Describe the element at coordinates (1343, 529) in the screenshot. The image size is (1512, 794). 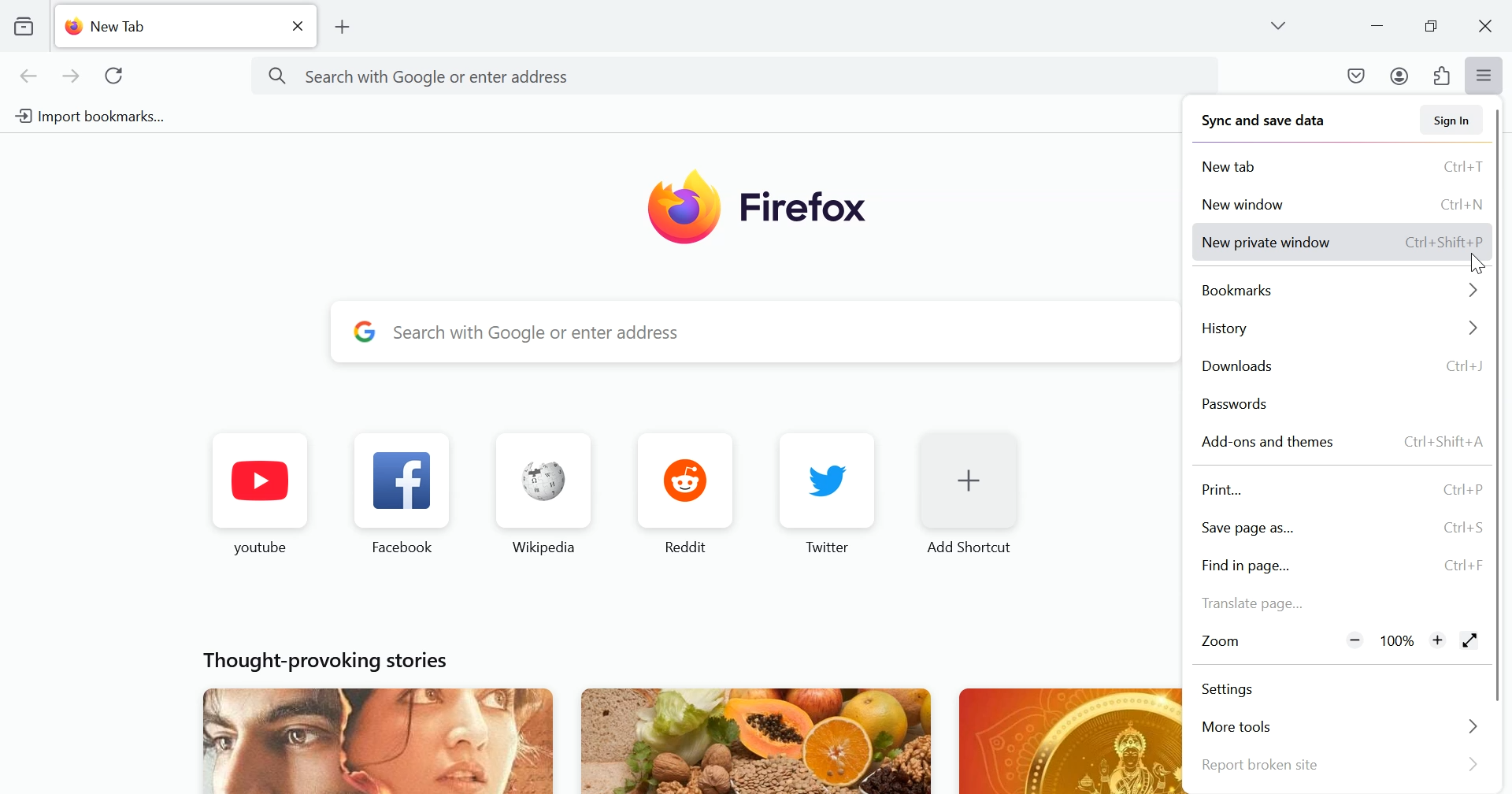
I see `save page as...` at that location.